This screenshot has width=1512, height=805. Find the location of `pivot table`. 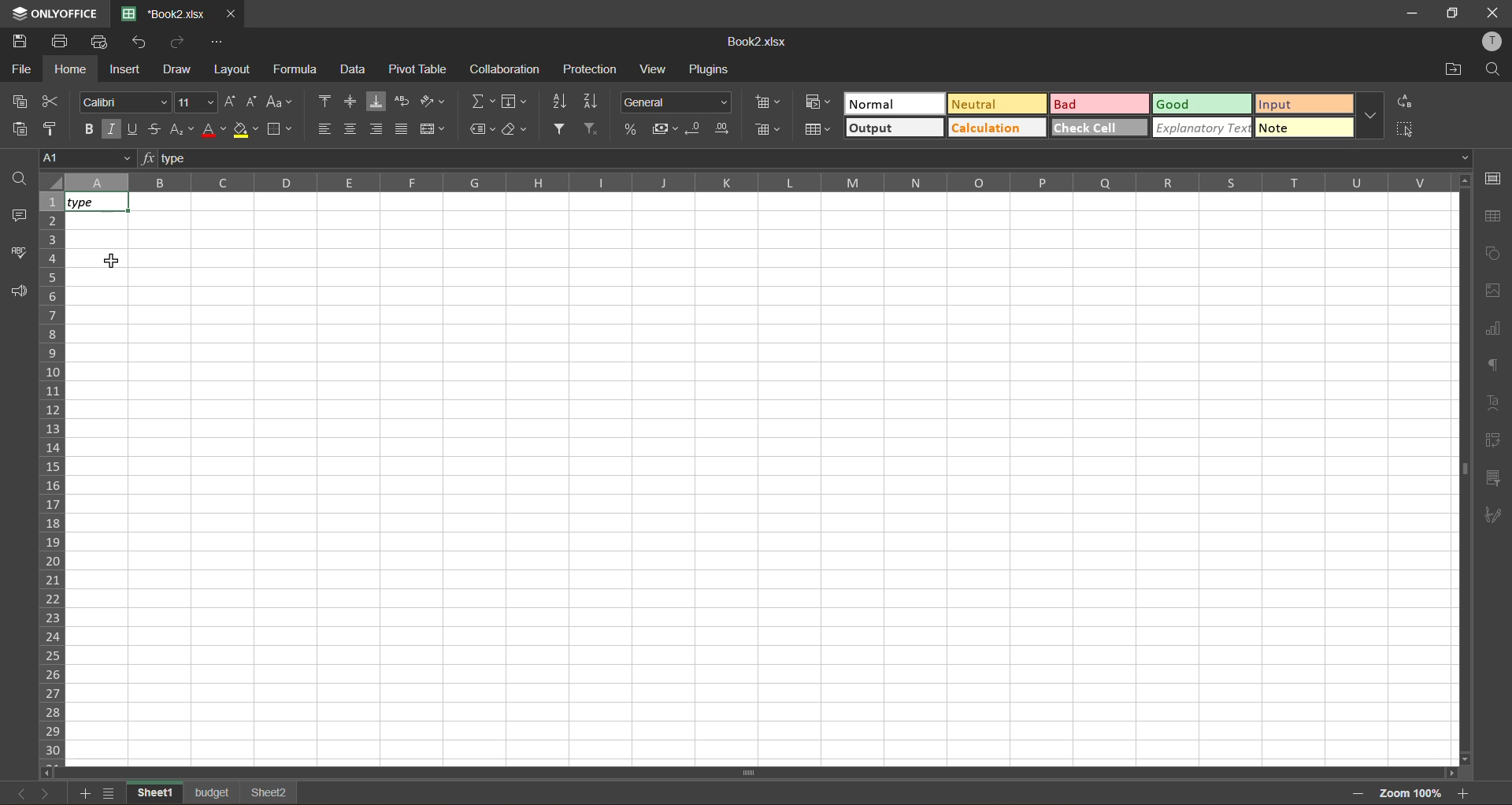

pivot table is located at coordinates (1498, 441).